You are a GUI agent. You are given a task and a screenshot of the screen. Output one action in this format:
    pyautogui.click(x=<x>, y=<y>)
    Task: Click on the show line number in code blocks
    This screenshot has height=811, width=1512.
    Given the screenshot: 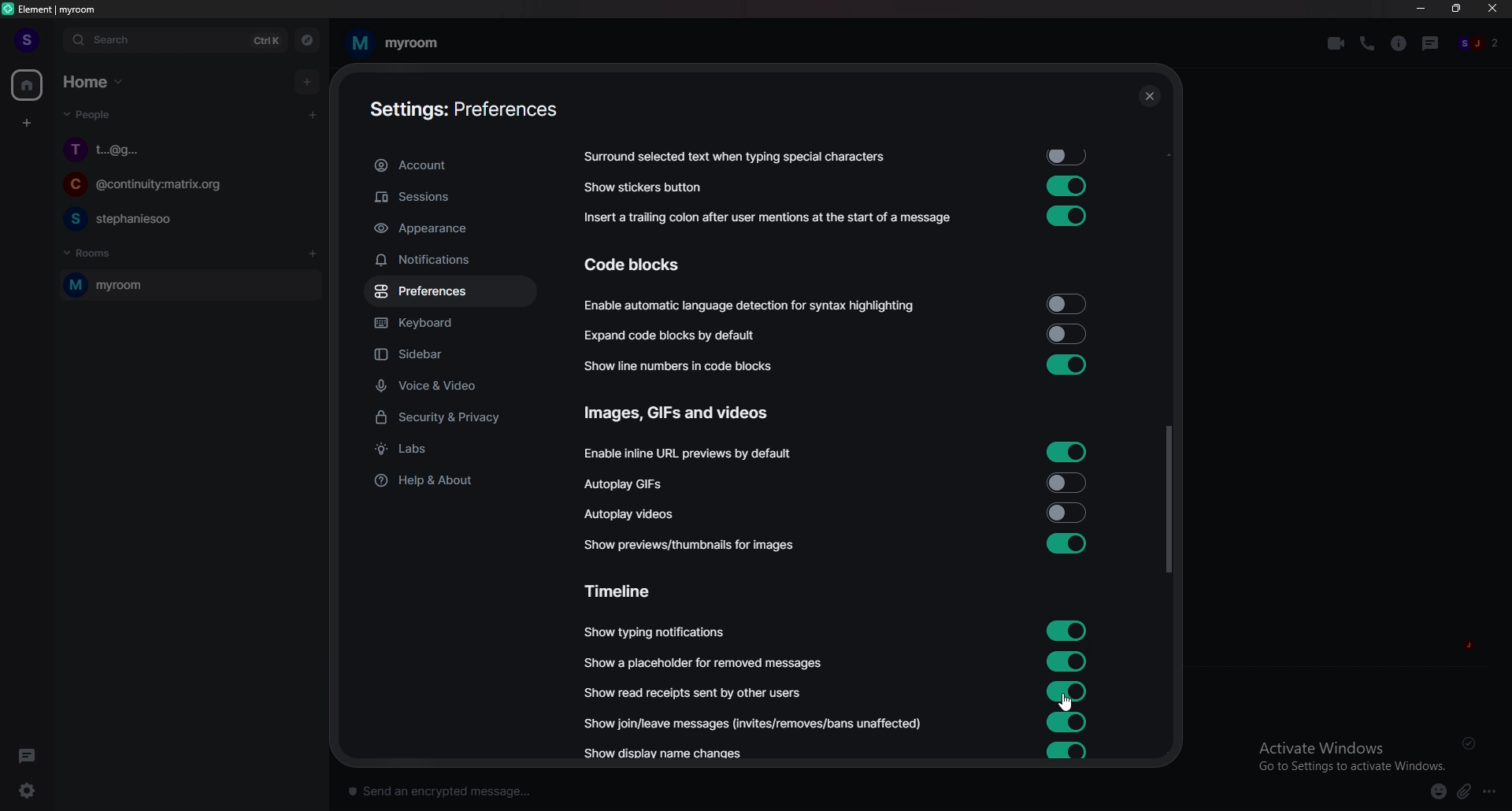 What is the action you would take?
    pyautogui.click(x=687, y=365)
    